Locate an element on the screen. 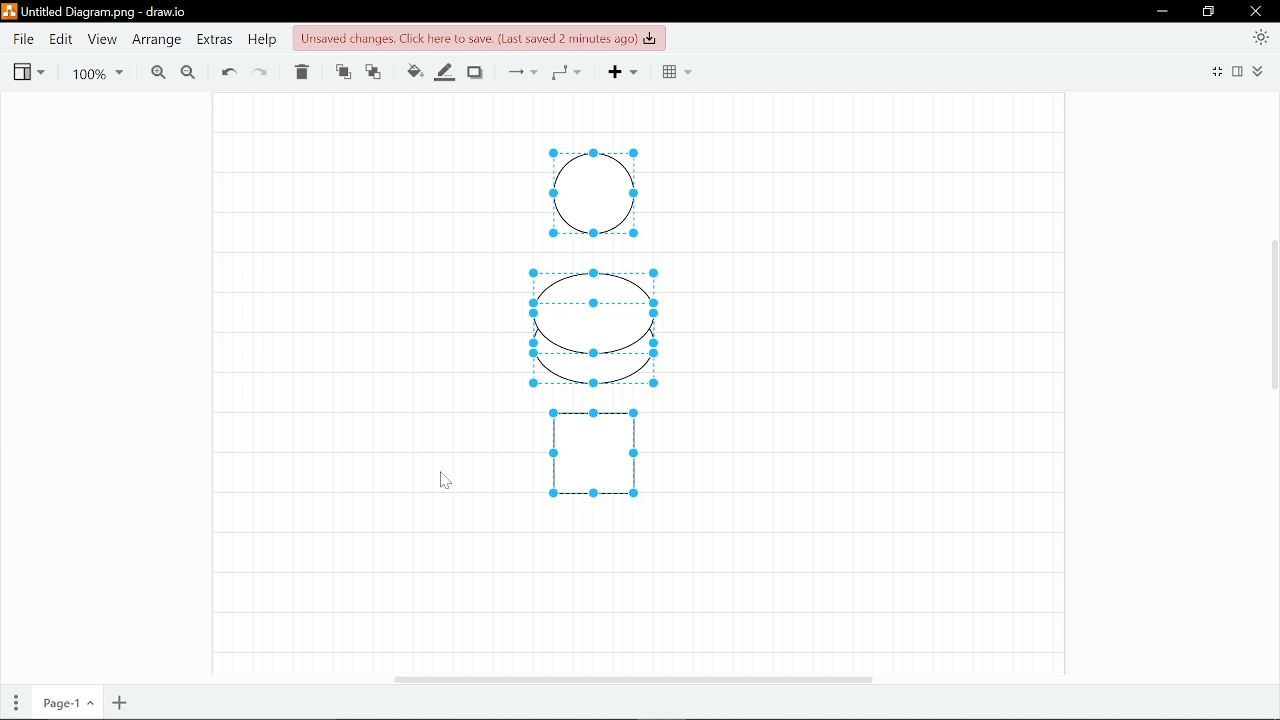 Image resolution: width=1280 pixels, height=720 pixels. Restore down is located at coordinates (1207, 12).